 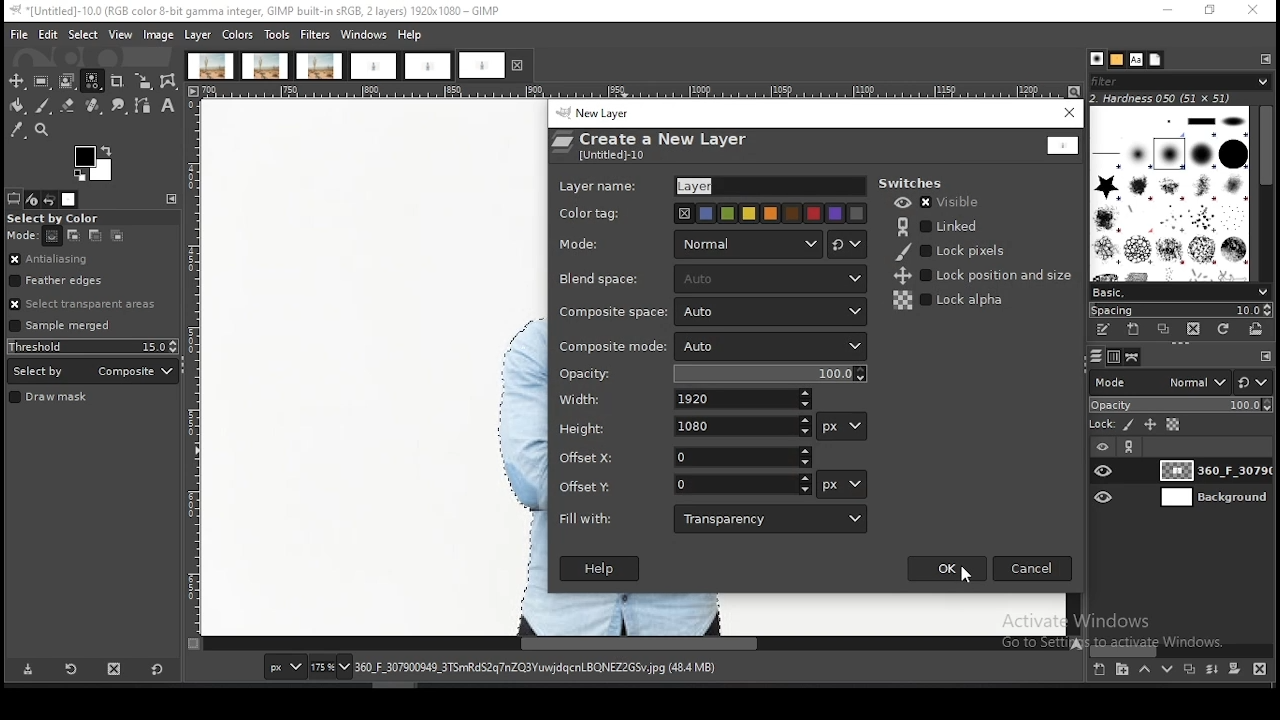 I want to click on offset Y, so click(x=584, y=487).